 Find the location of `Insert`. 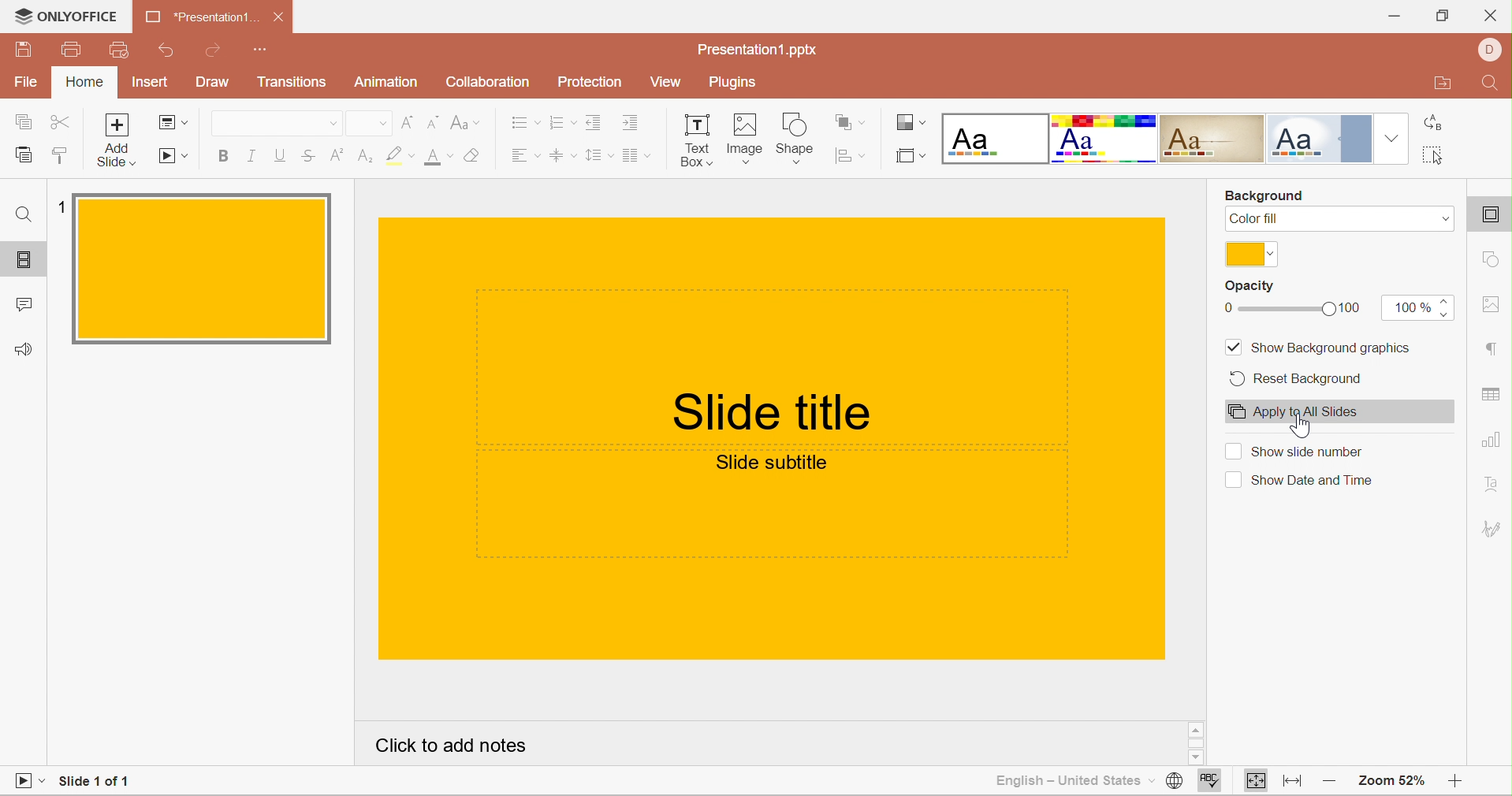

Insert is located at coordinates (149, 83).